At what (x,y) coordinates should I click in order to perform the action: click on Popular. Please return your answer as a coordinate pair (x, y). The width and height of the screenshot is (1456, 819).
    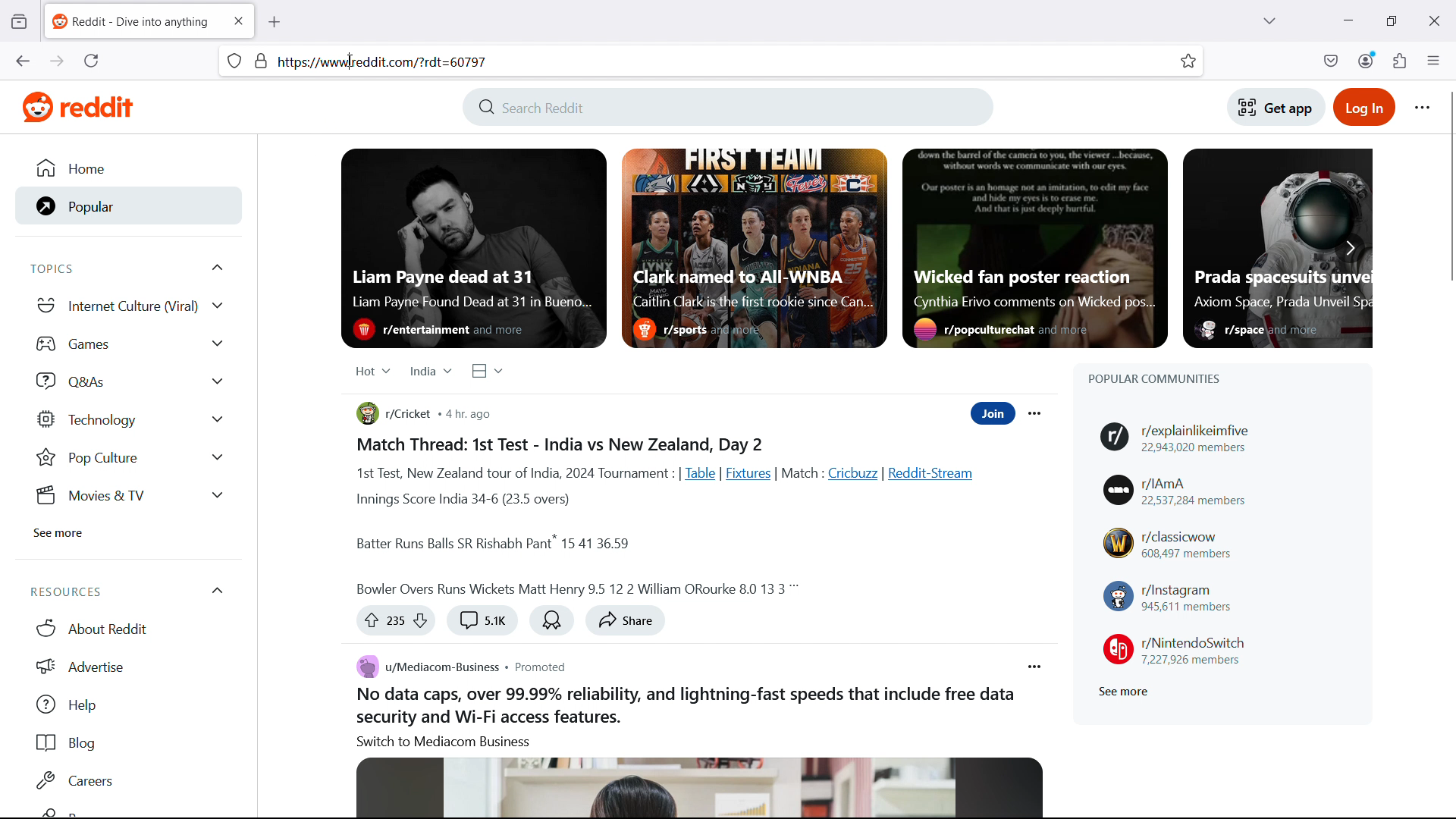
    Looking at the image, I should click on (123, 206).